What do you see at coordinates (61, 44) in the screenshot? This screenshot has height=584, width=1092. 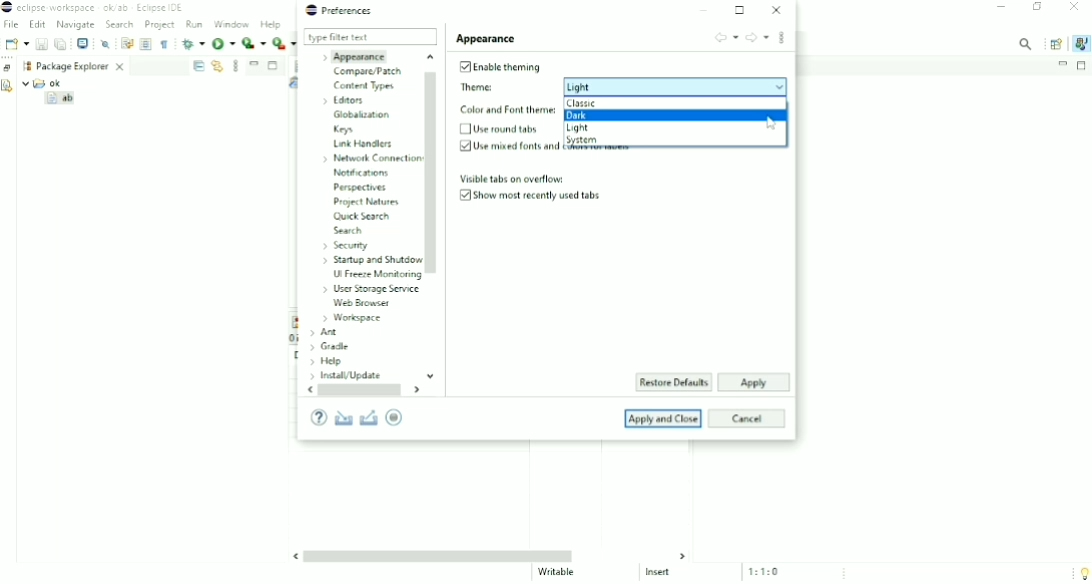 I see `Save All` at bounding box center [61, 44].